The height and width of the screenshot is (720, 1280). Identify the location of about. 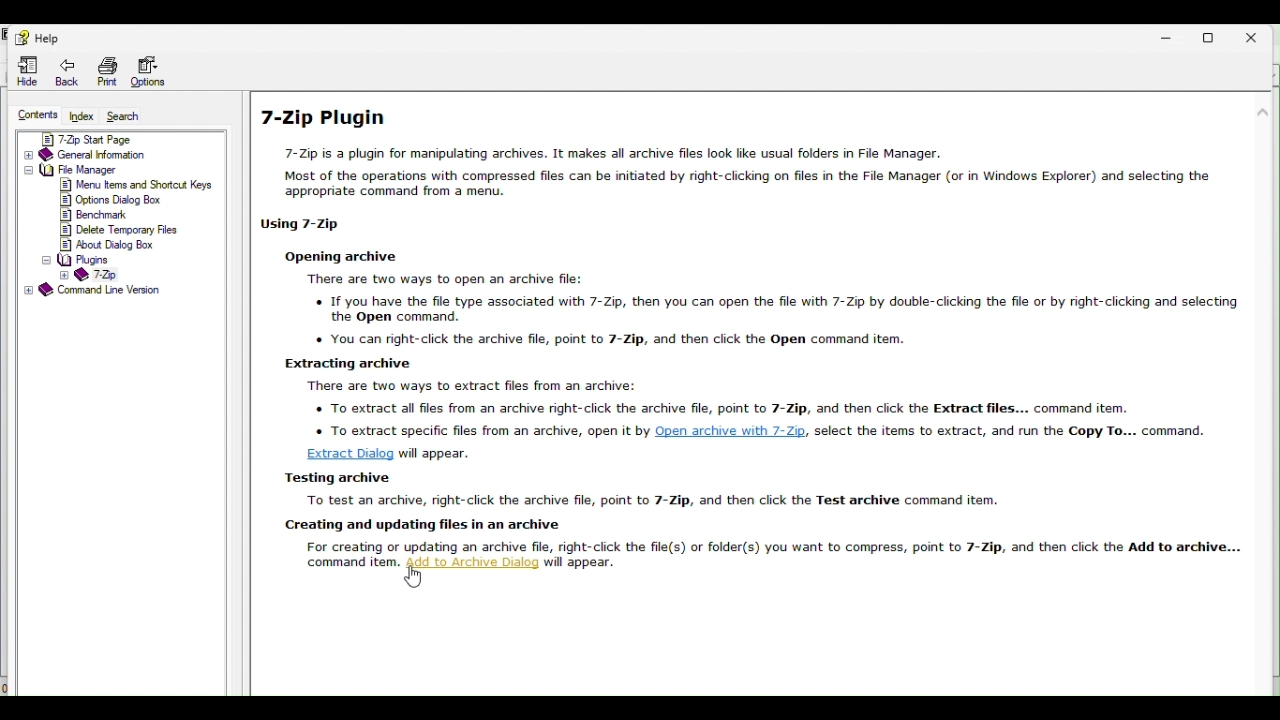
(111, 245).